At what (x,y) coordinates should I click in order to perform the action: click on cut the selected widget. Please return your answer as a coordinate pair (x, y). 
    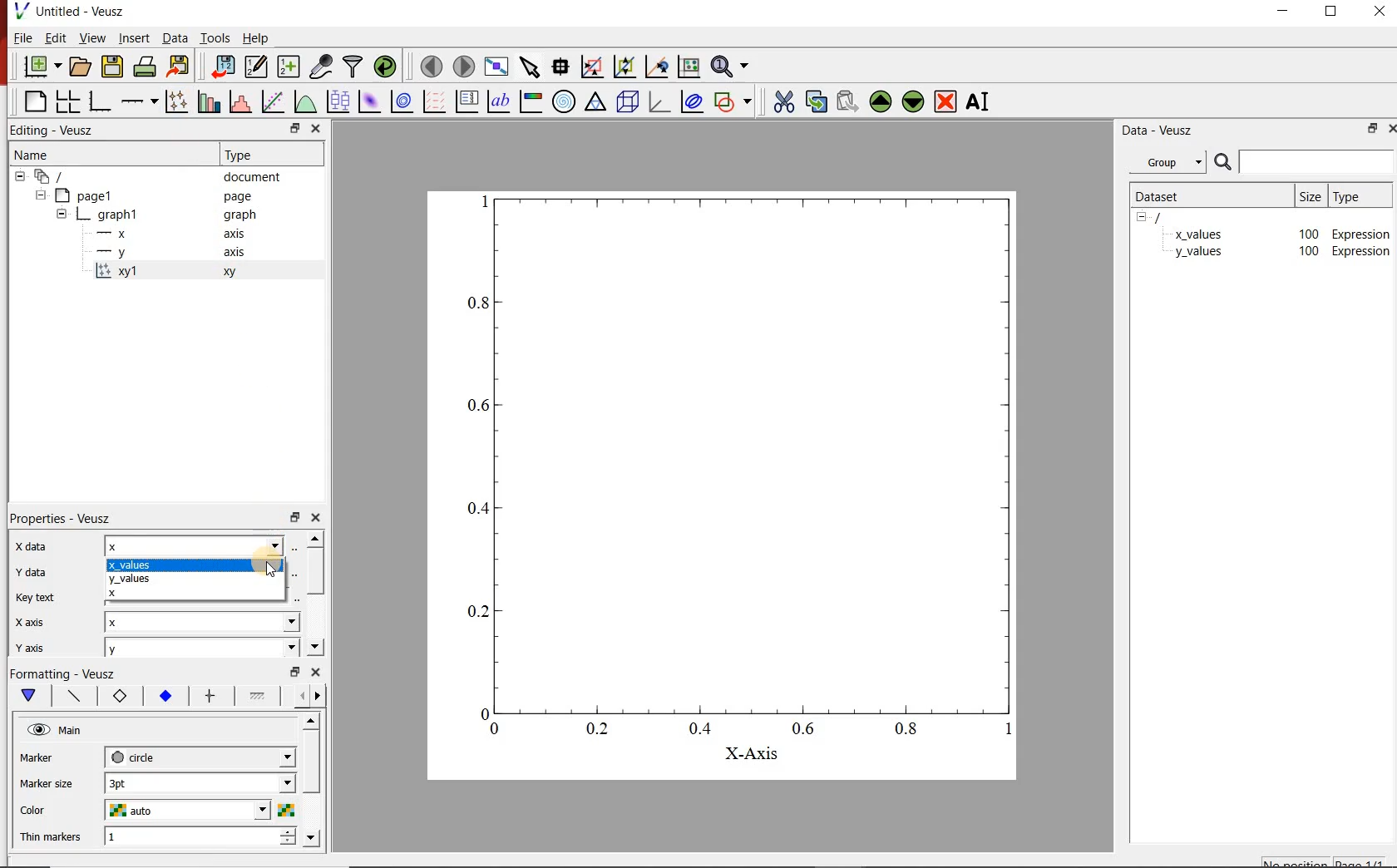
    Looking at the image, I should click on (785, 103).